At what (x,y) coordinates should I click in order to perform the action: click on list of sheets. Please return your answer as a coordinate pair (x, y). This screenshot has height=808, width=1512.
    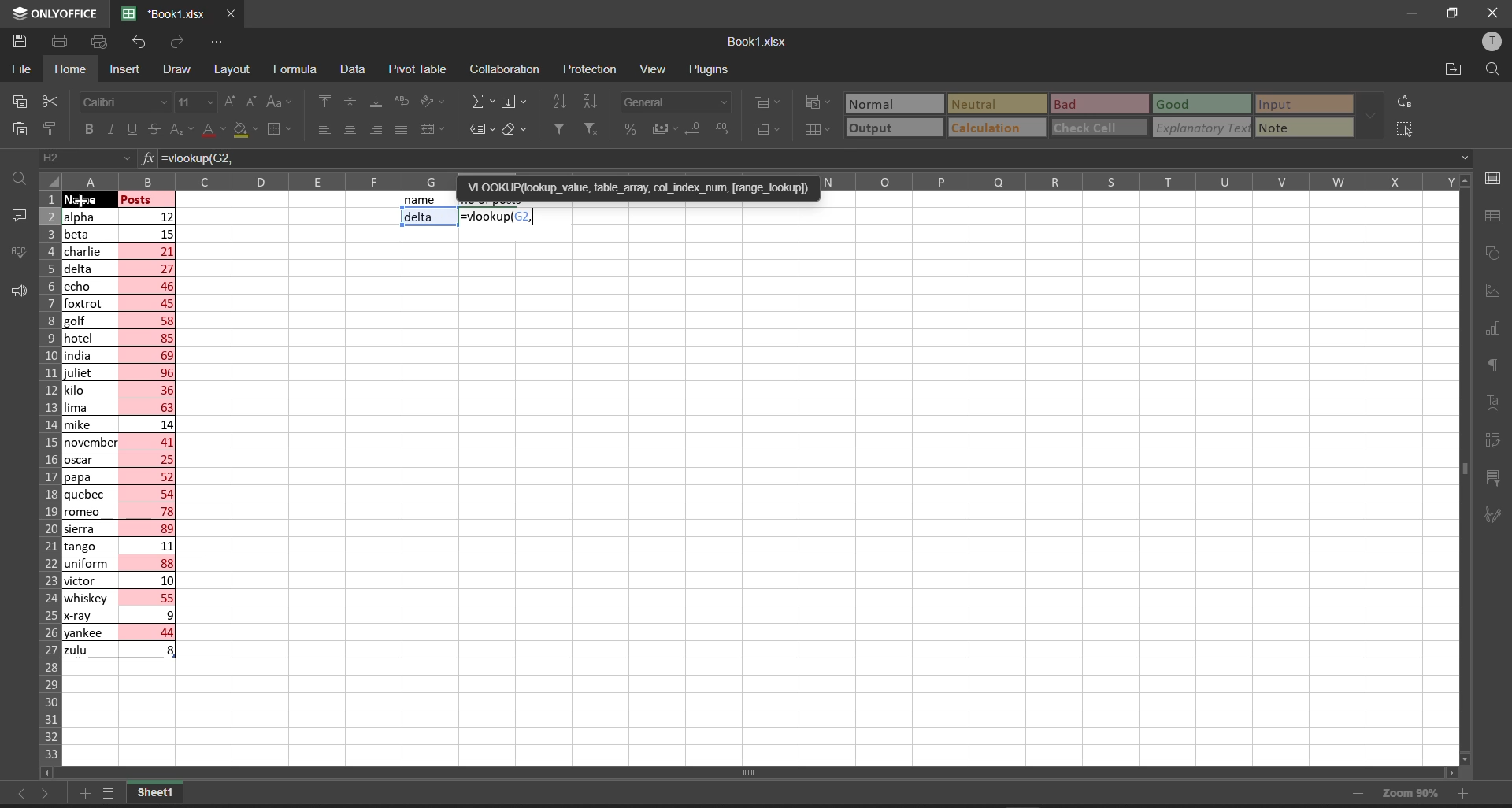
    Looking at the image, I should click on (113, 795).